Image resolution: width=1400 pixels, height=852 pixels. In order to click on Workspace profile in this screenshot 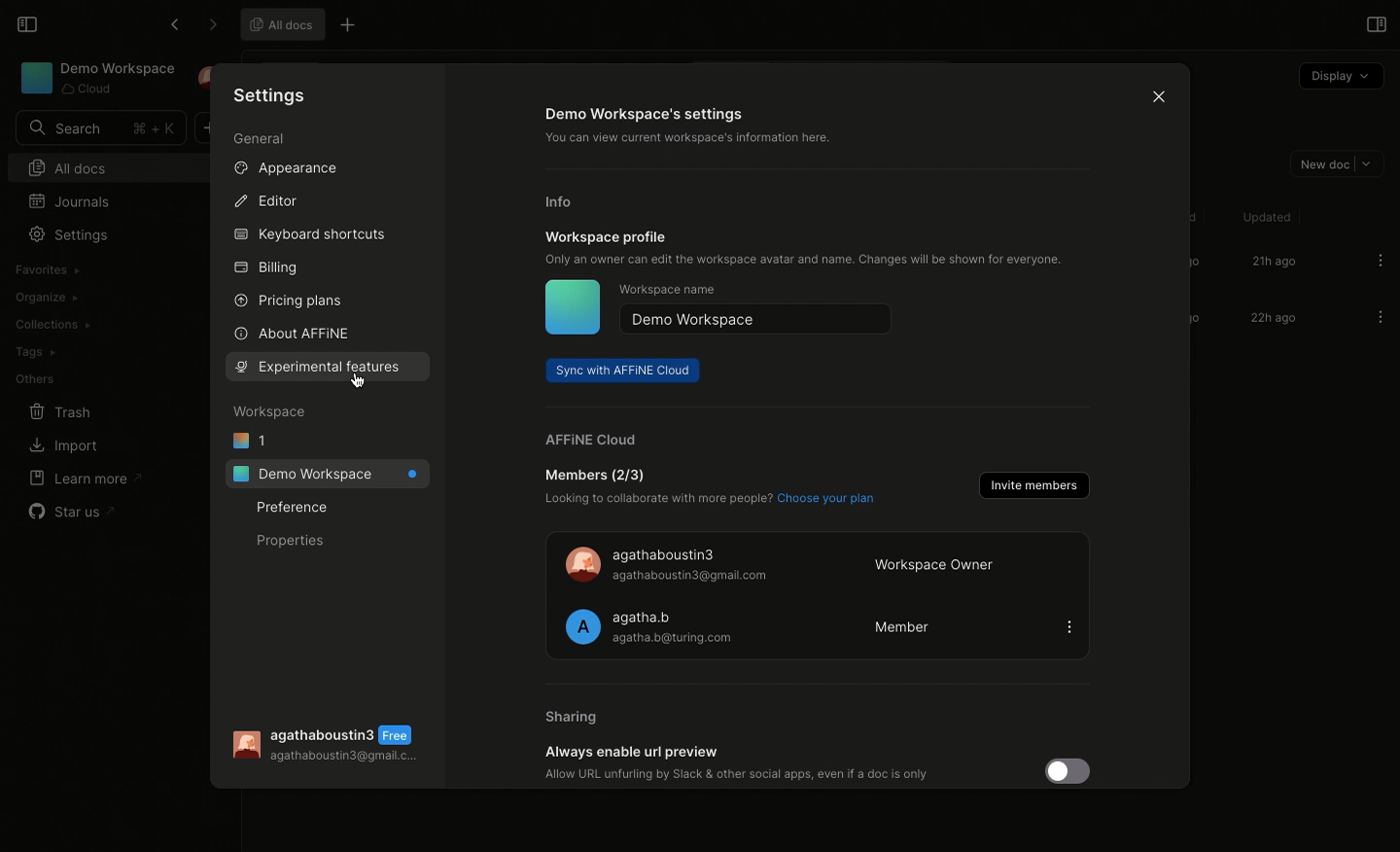, I will do `click(804, 249)`.